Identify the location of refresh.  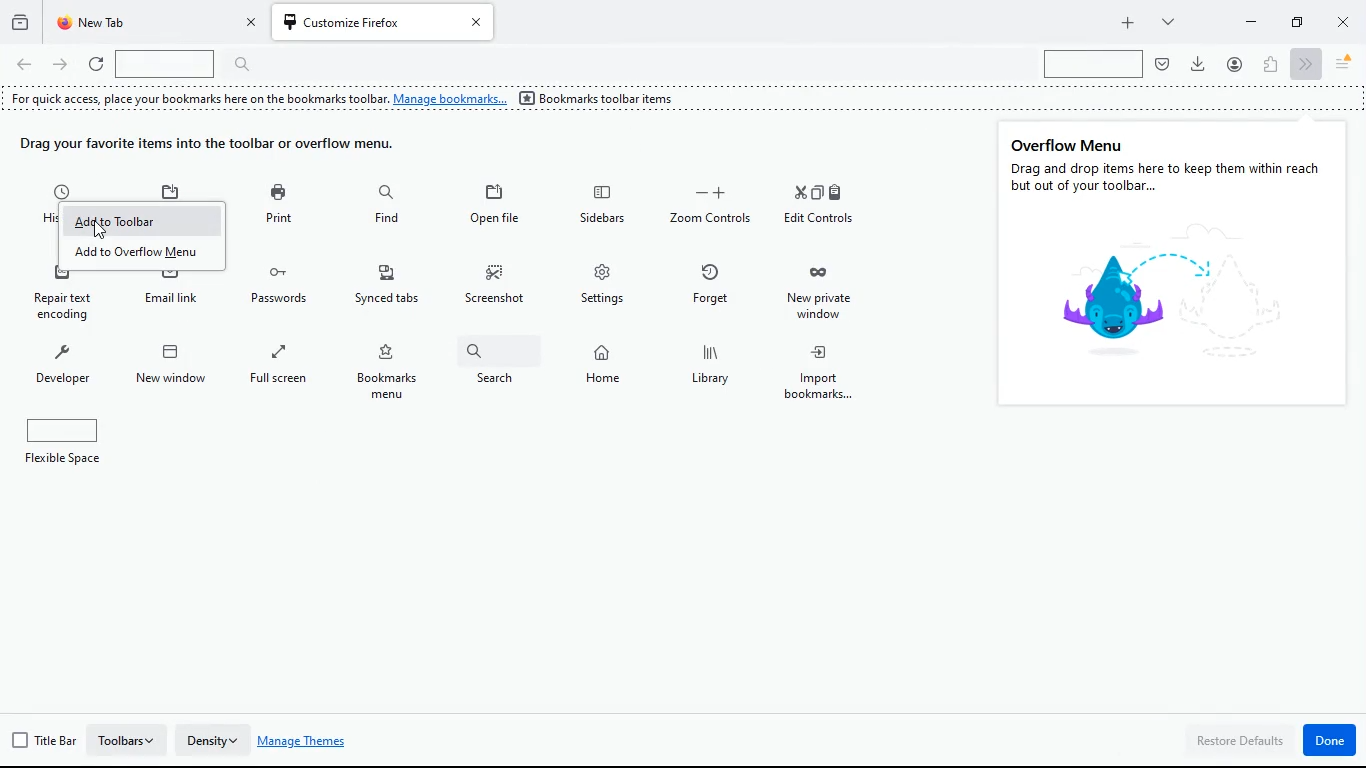
(96, 65).